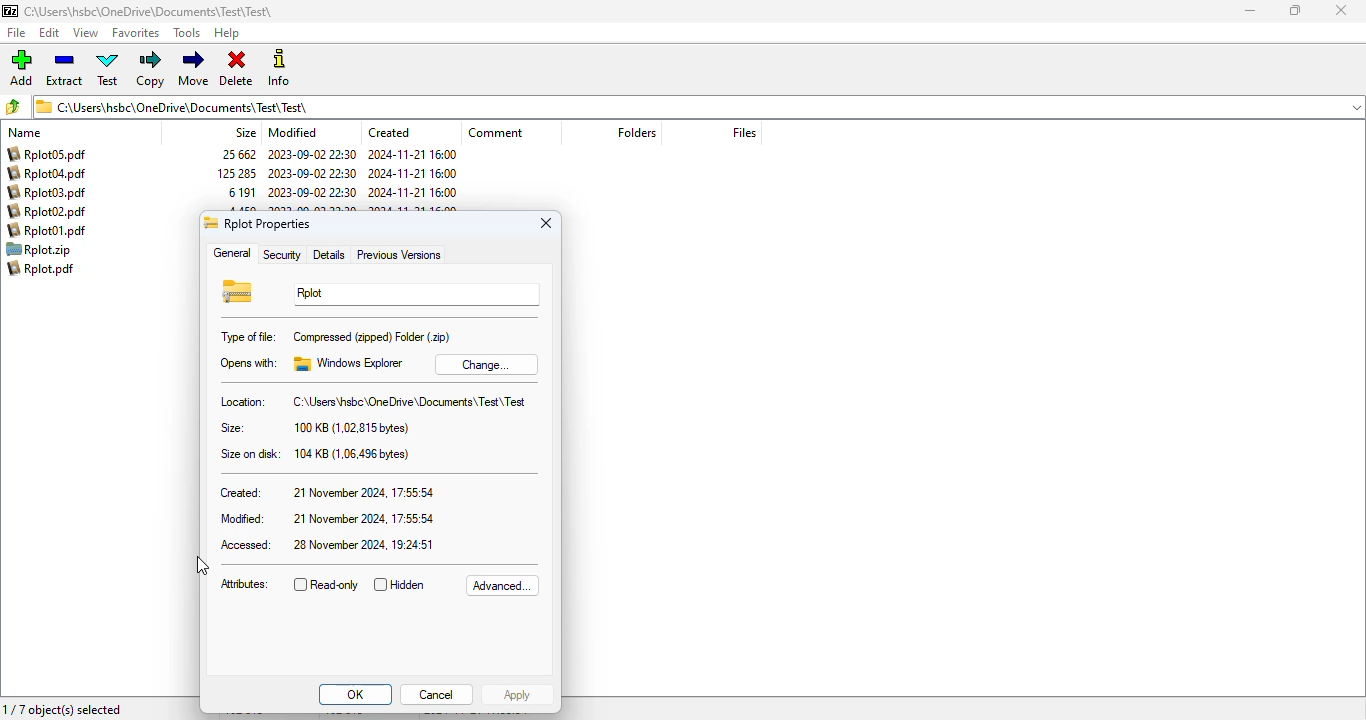 The height and width of the screenshot is (720, 1366). I want to click on advanced, so click(503, 586).